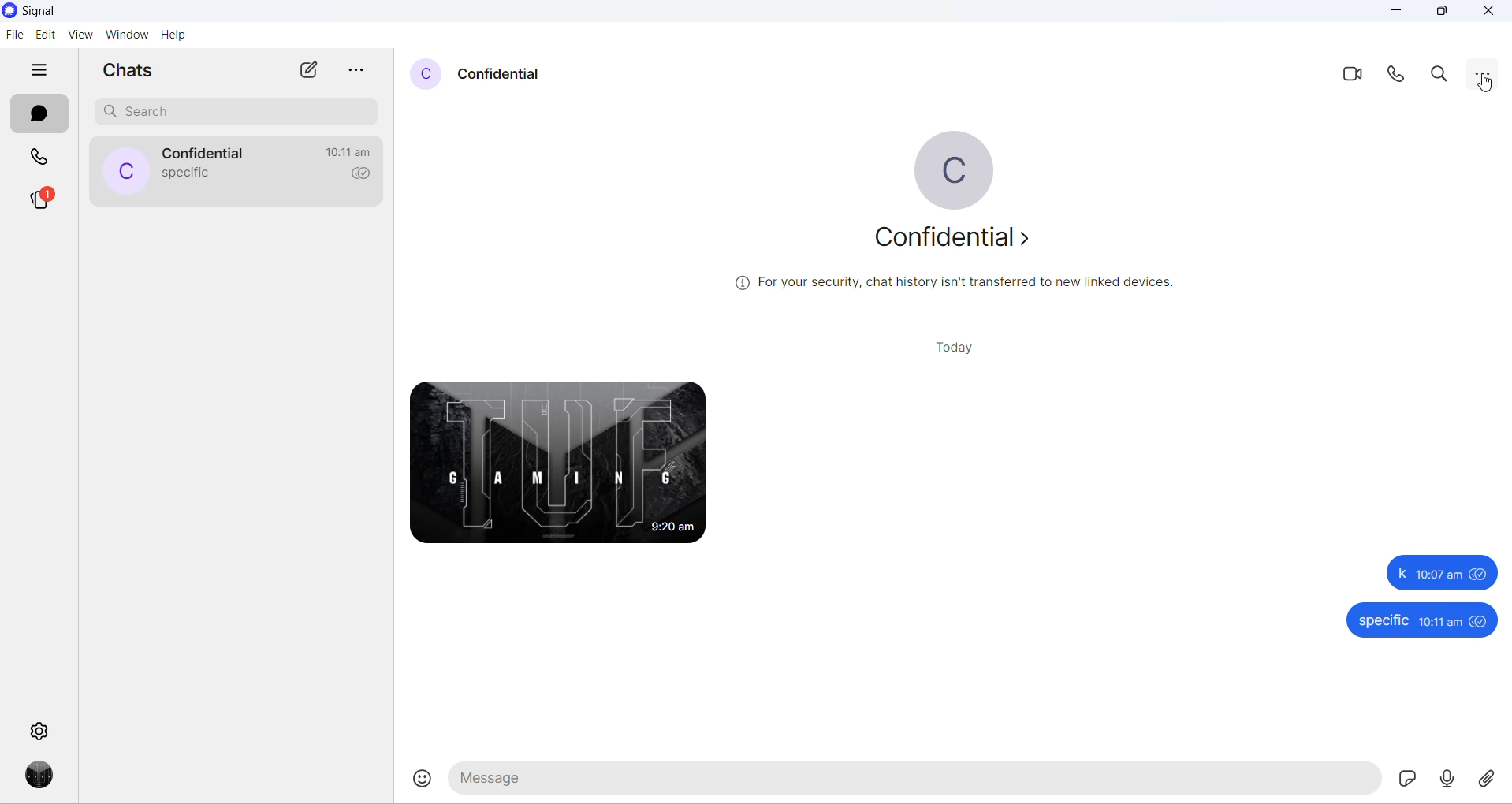  What do you see at coordinates (354, 72) in the screenshot?
I see `more options` at bounding box center [354, 72].